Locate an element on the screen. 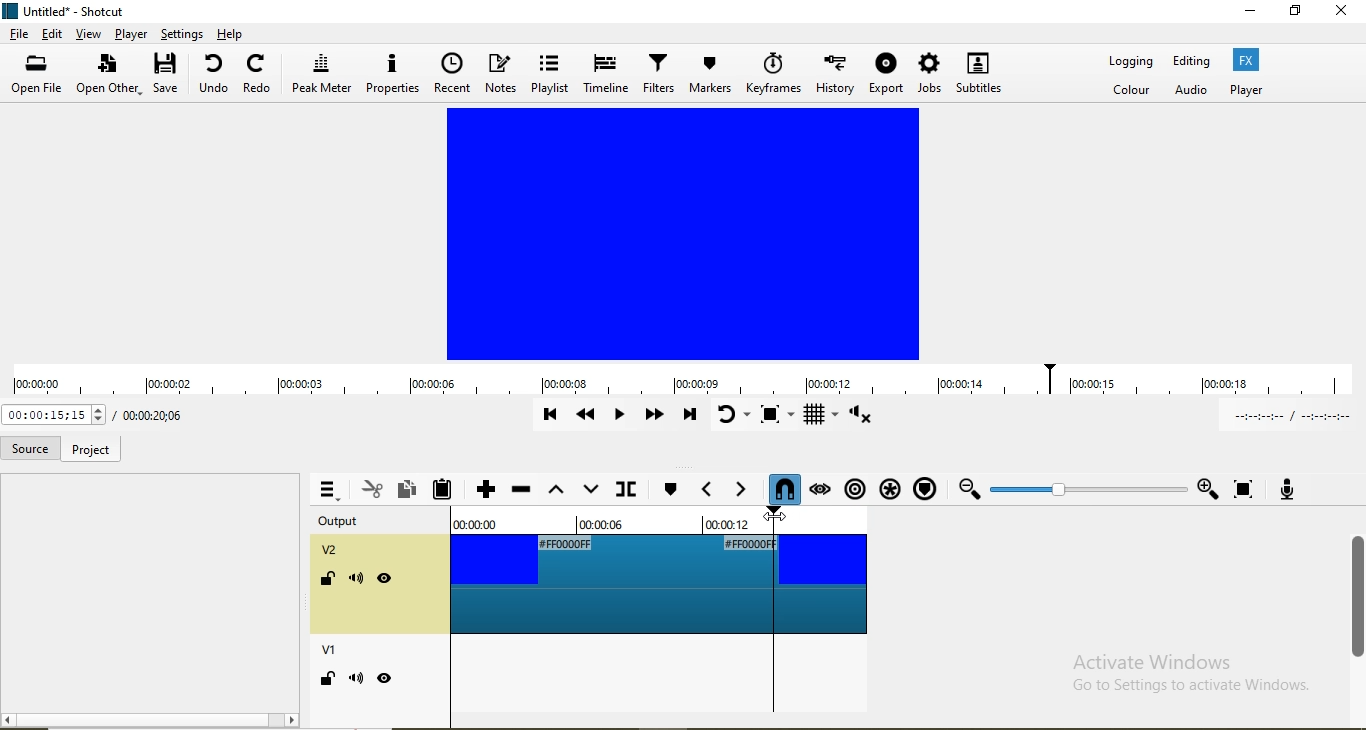  overwrite is located at coordinates (588, 491).